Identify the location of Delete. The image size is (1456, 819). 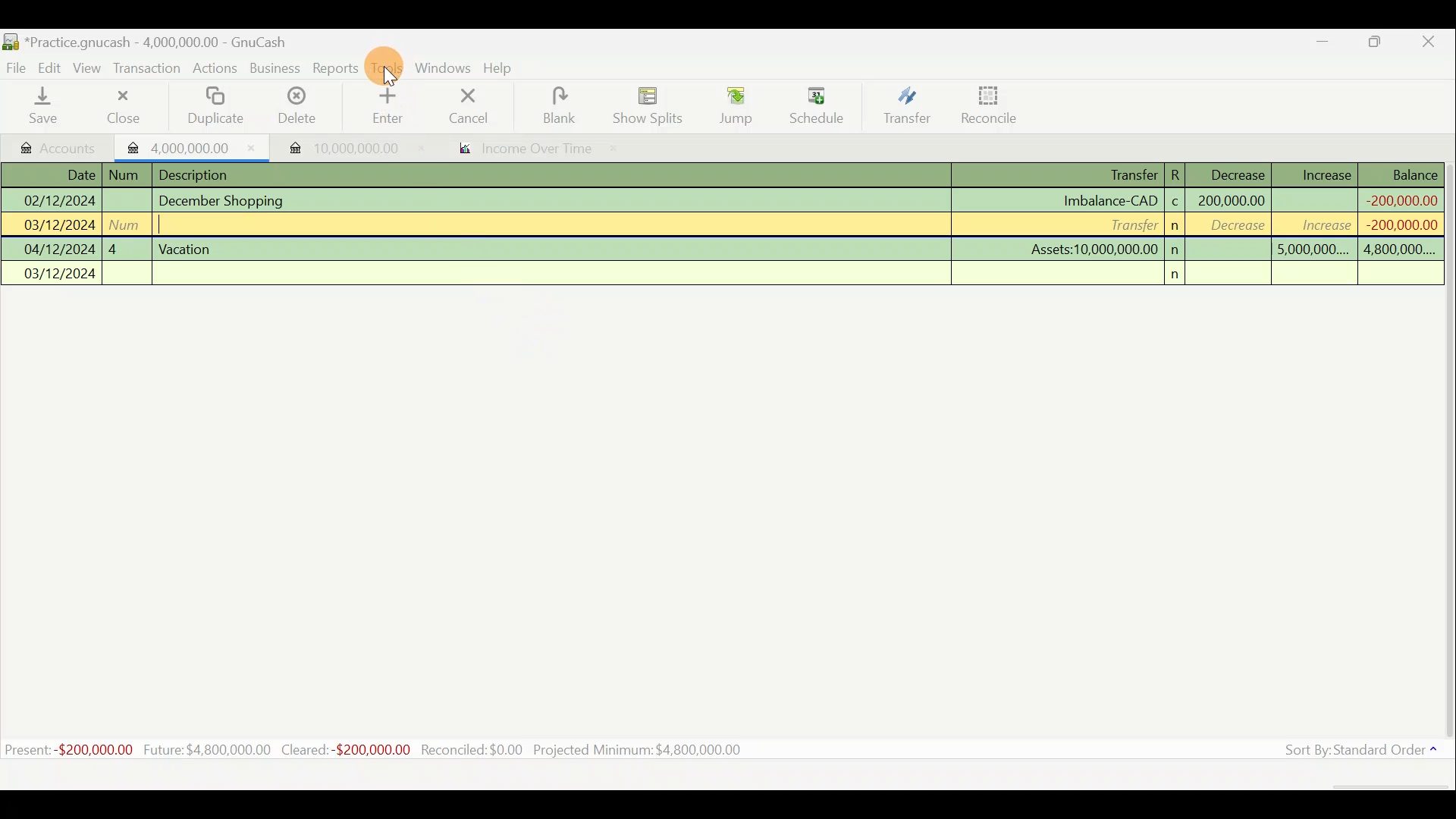
(298, 106).